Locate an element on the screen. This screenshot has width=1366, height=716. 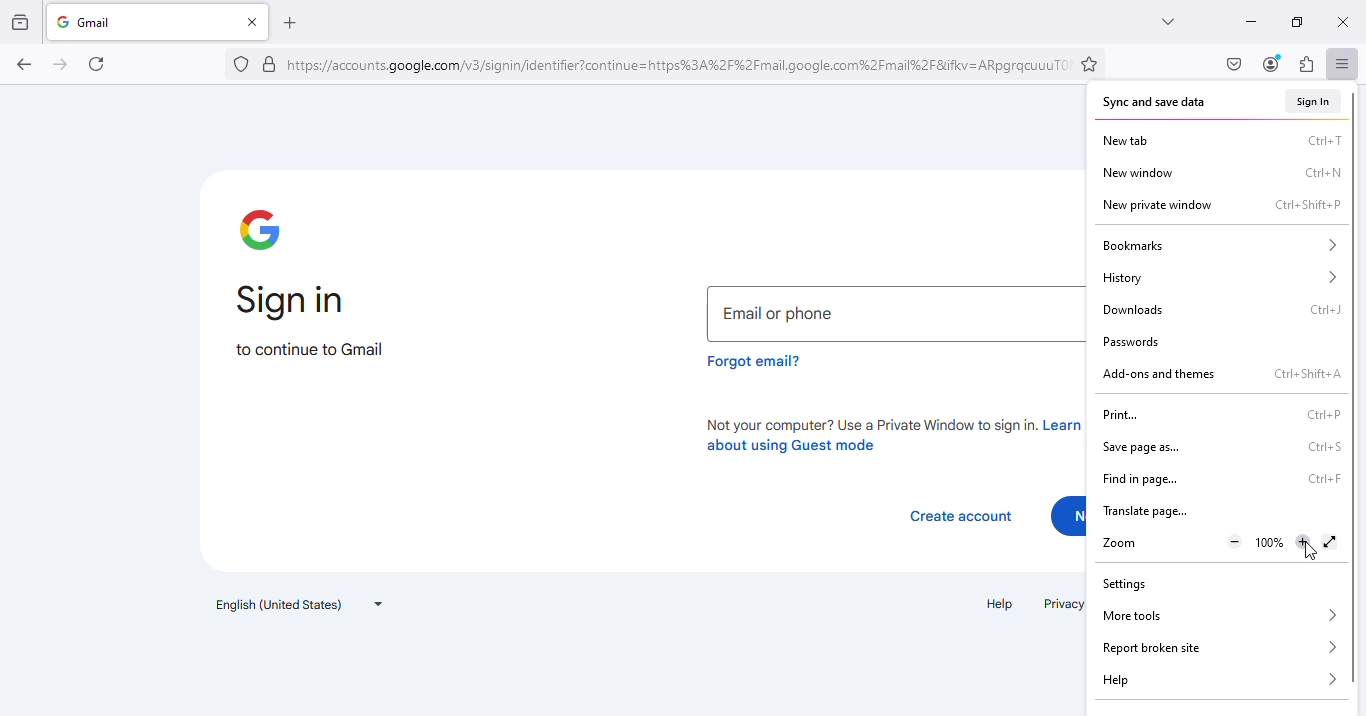
shortcut for save page as is located at coordinates (1322, 446).